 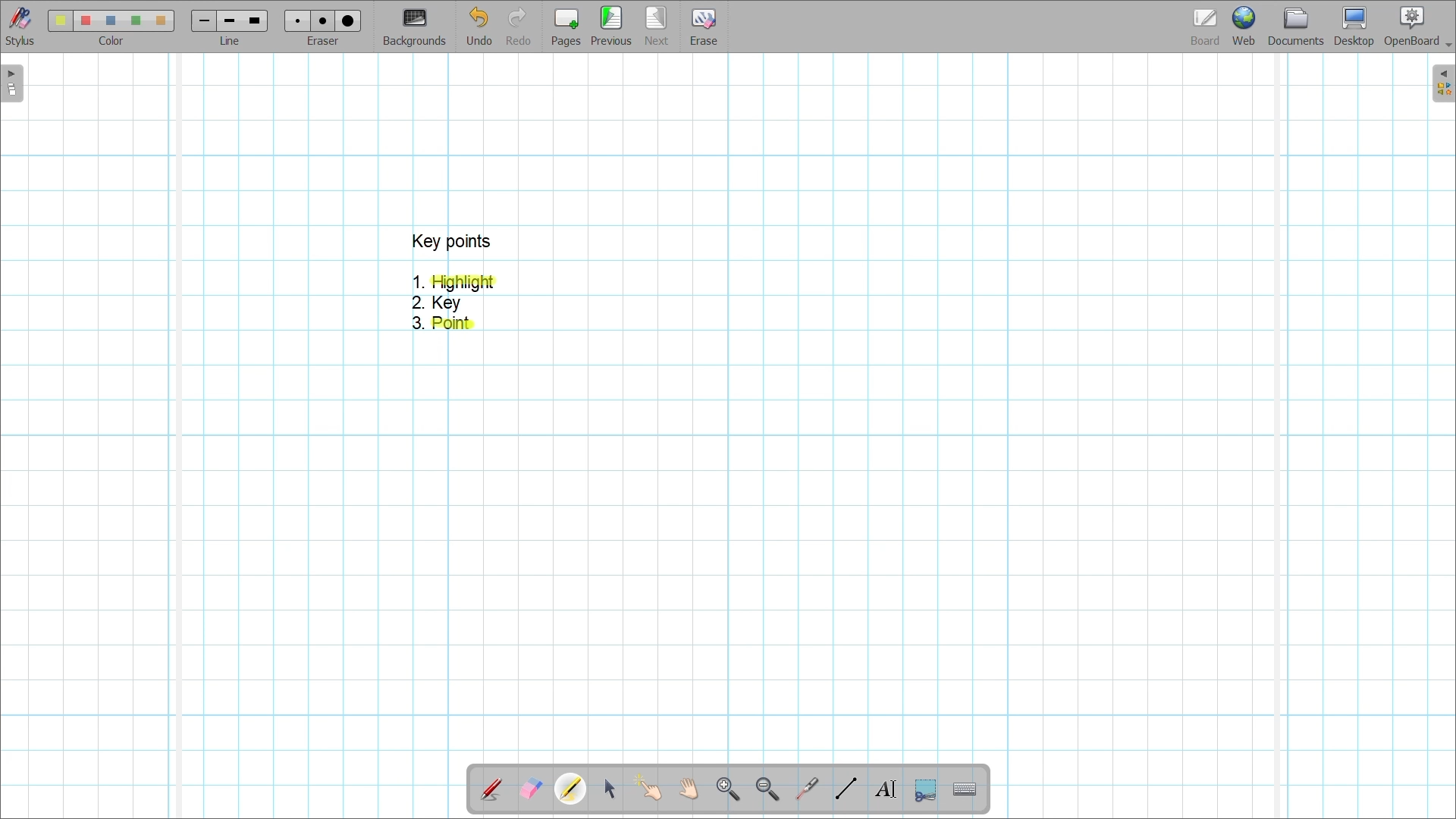 I want to click on Undo, so click(x=480, y=26).